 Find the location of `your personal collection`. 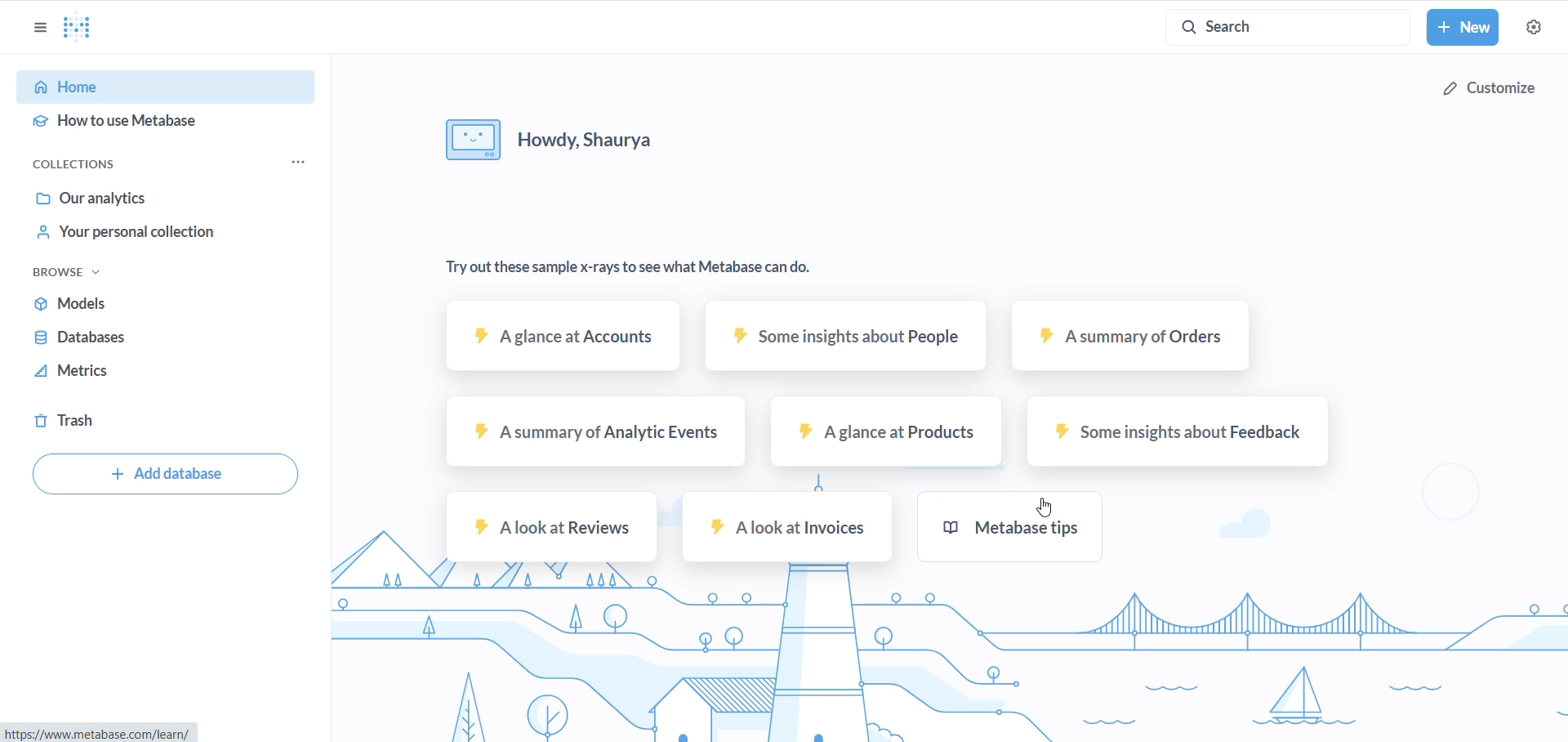

your personal collection is located at coordinates (140, 232).